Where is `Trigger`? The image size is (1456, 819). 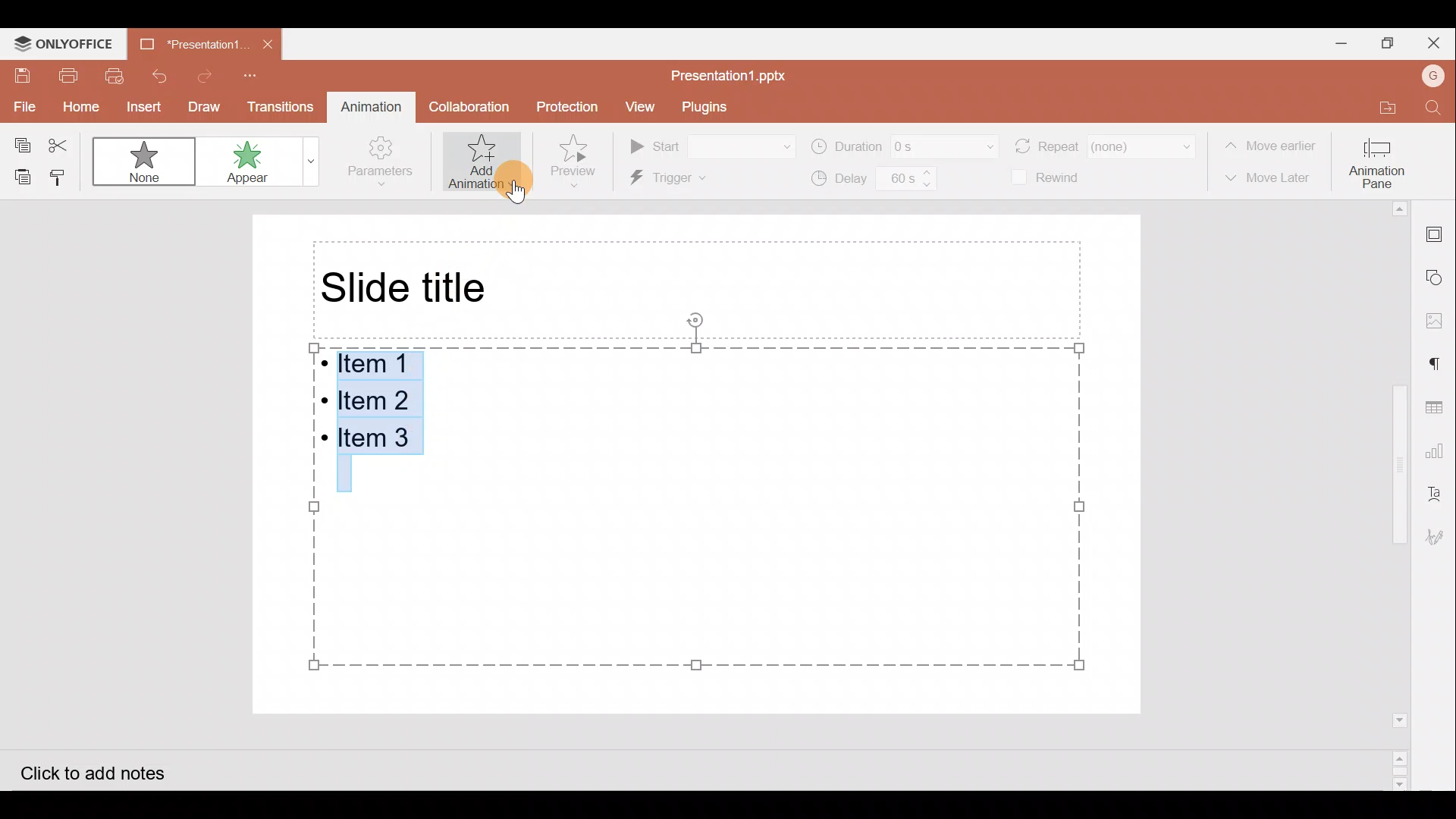 Trigger is located at coordinates (698, 179).